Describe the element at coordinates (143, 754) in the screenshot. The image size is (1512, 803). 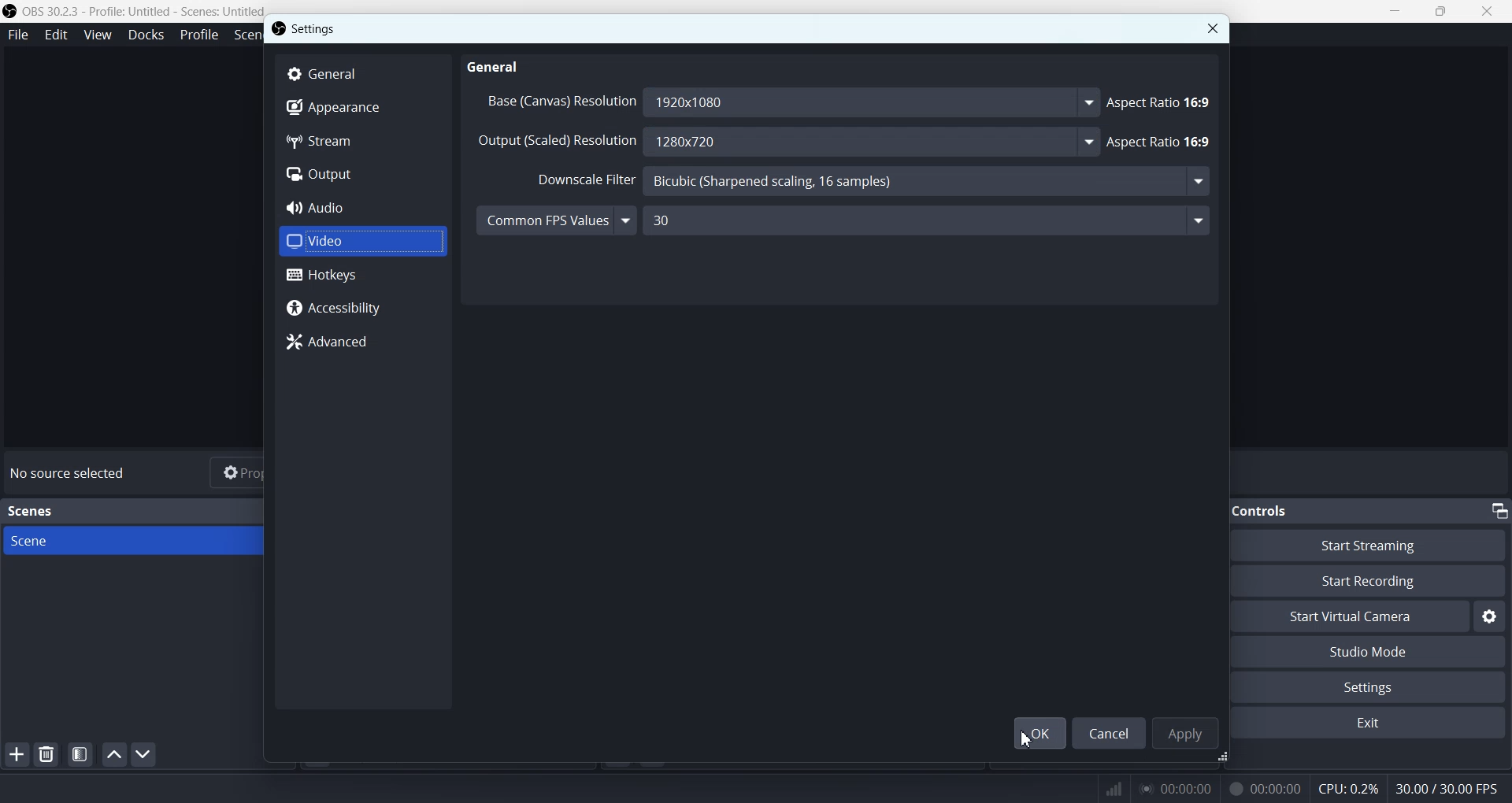
I see `Move scene down` at that location.